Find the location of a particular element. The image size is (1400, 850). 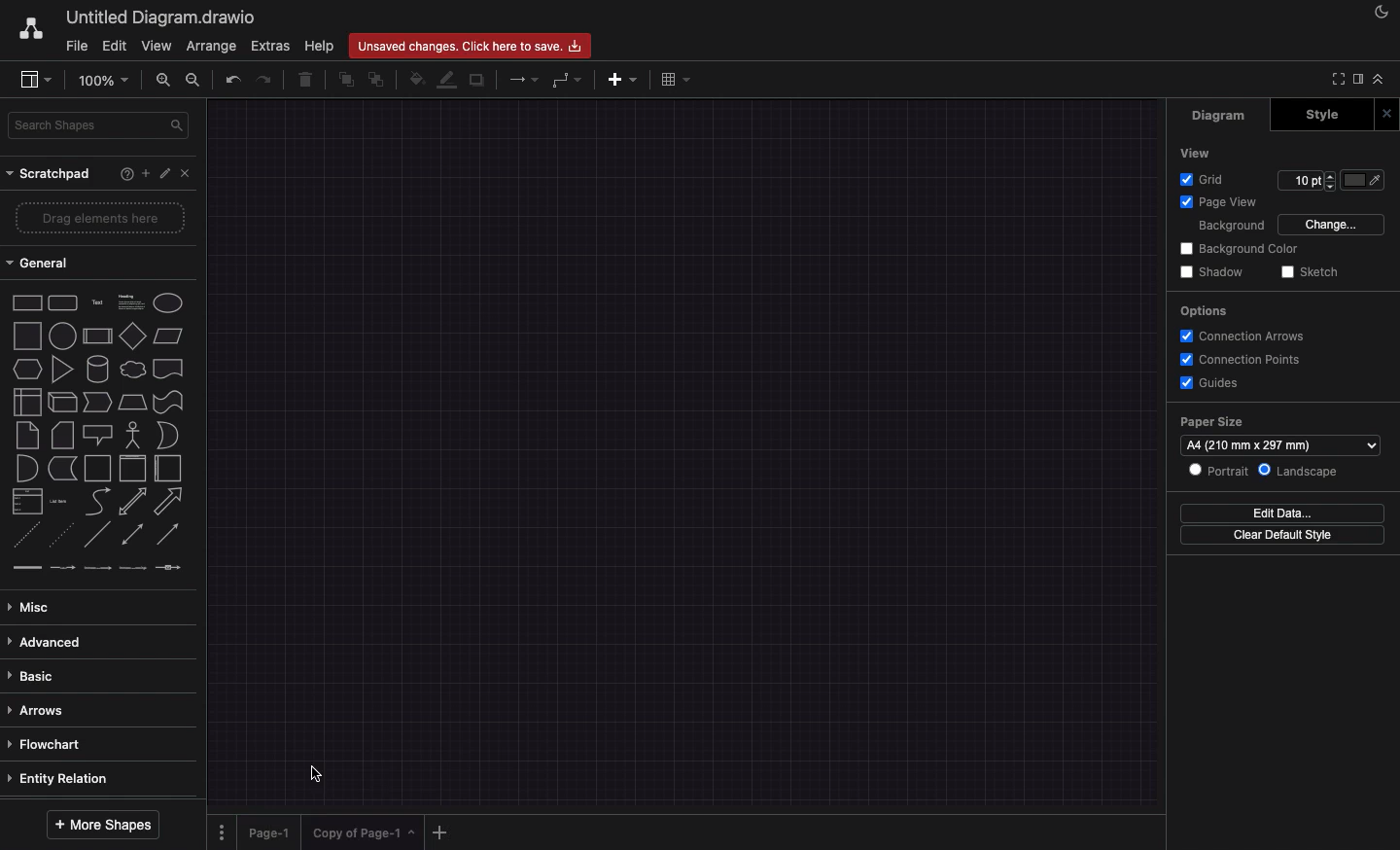

options is located at coordinates (1202, 311).